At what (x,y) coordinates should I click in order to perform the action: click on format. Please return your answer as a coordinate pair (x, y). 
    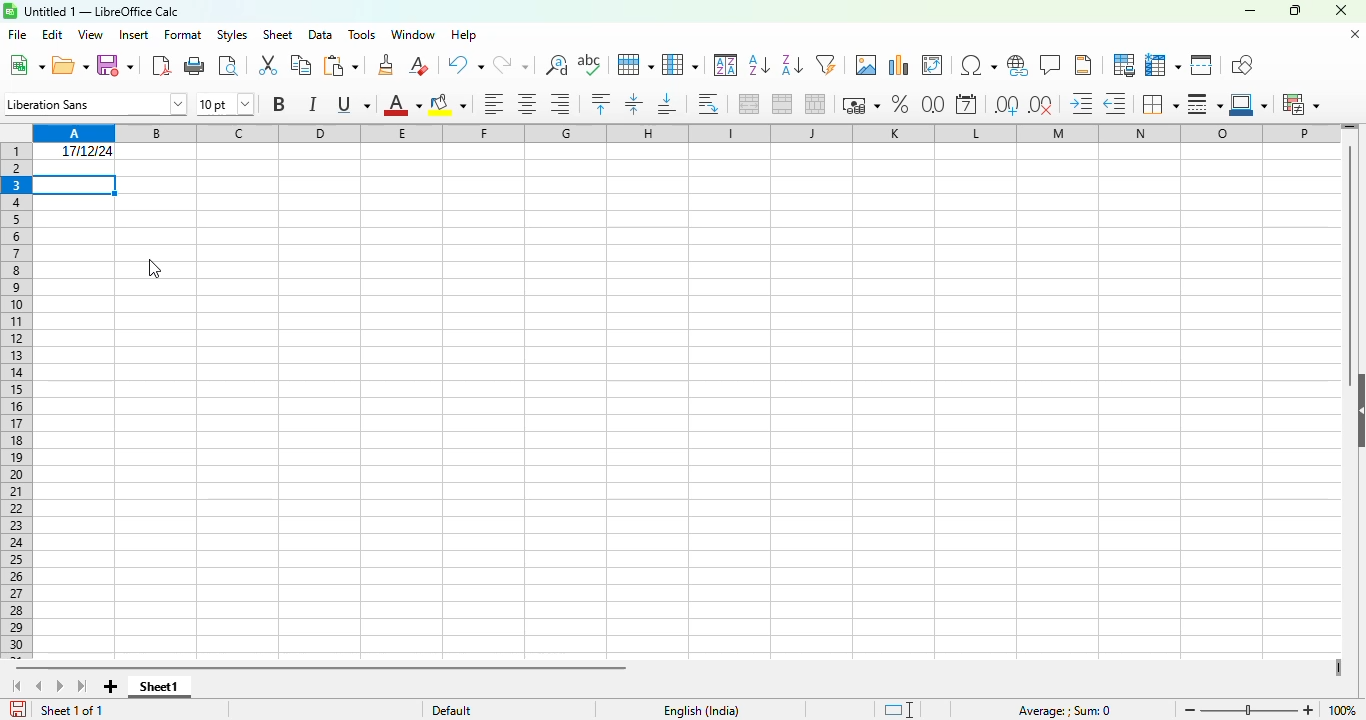
    Looking at the image, I should click on (183, 35).